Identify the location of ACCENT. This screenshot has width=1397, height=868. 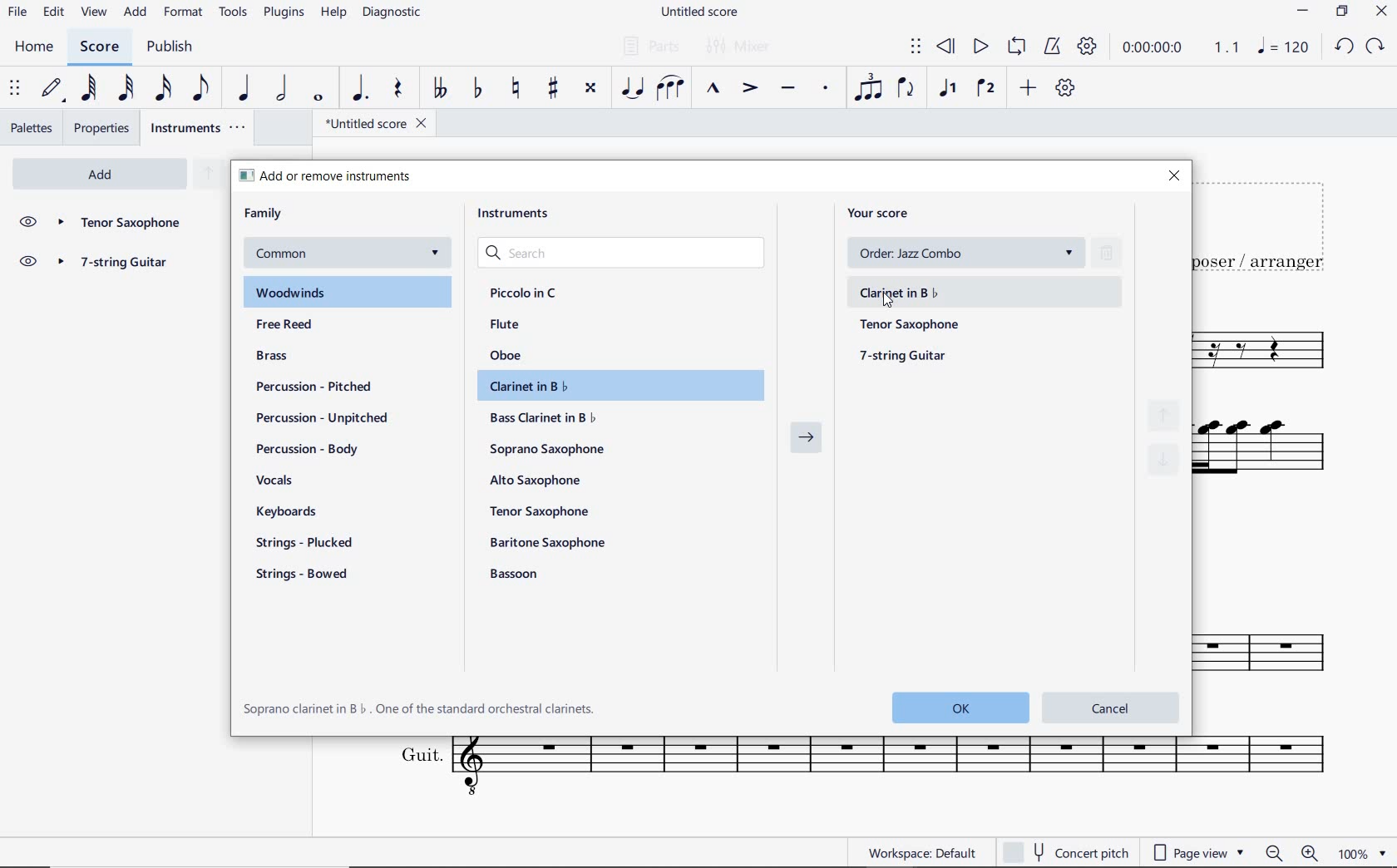
(749, 89).